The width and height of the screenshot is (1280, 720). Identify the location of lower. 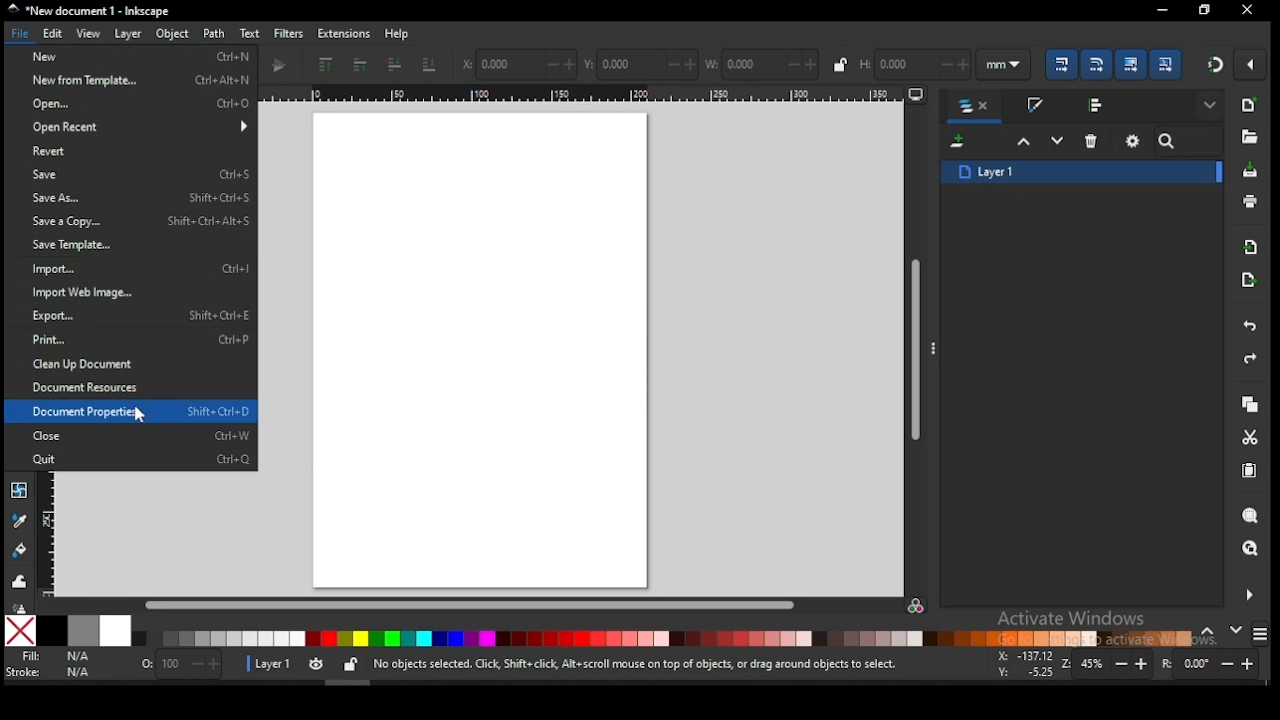
(395, 65).